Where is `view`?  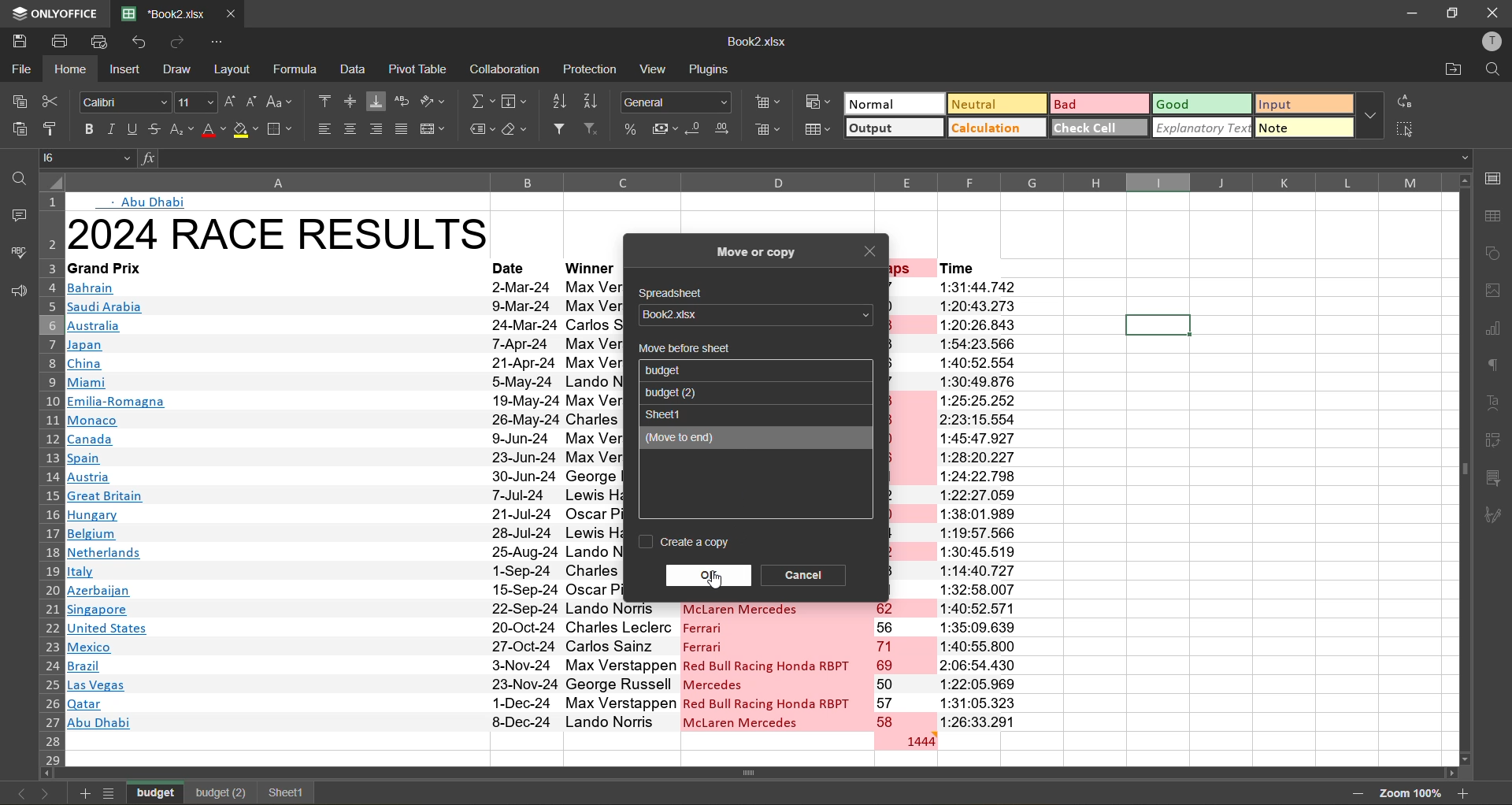
view is located at coordinates (657, 69).